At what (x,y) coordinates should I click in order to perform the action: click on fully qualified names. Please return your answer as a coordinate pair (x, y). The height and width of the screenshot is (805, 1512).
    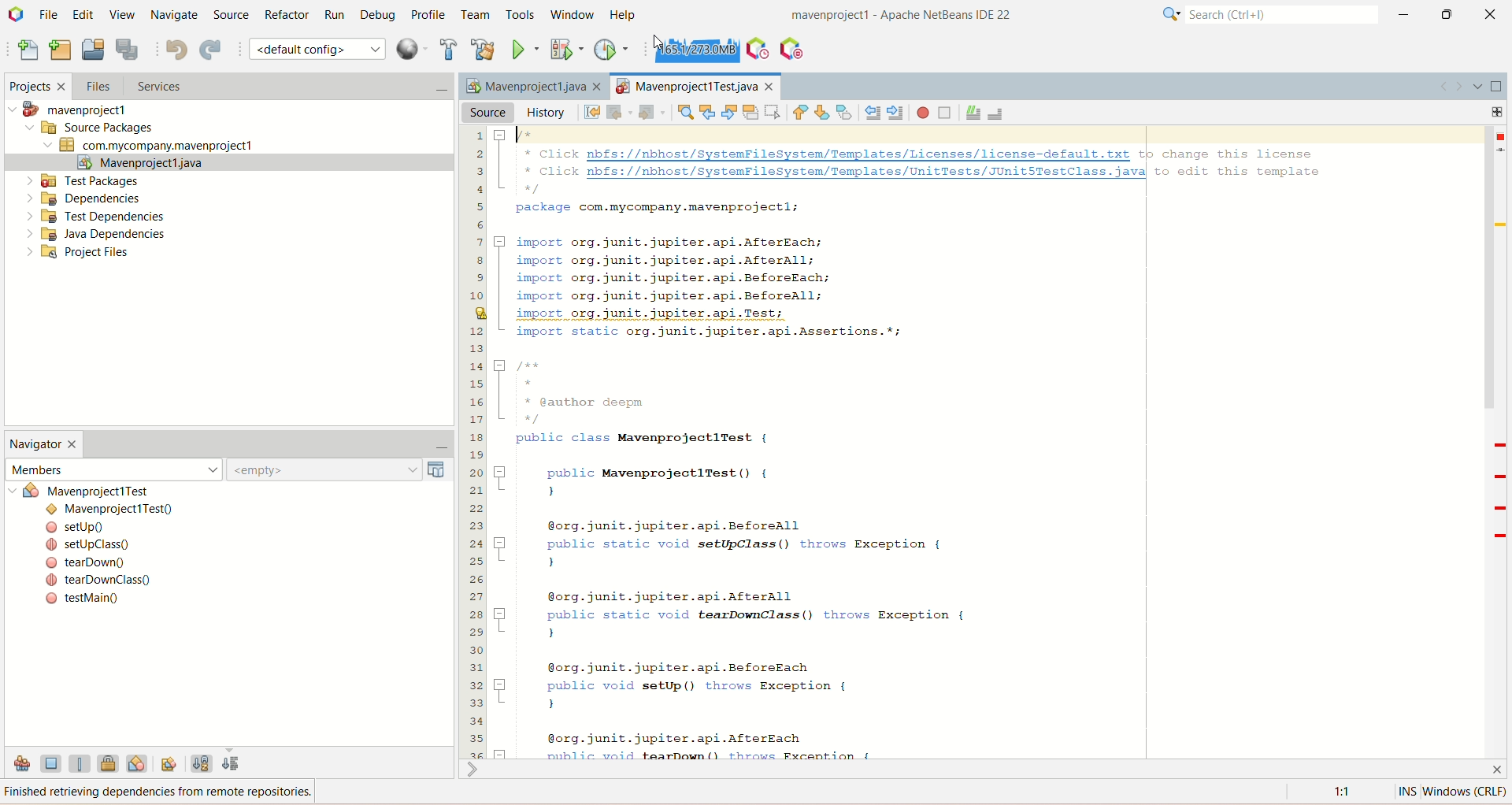
    Looking at the image, I should click on (171, 762).